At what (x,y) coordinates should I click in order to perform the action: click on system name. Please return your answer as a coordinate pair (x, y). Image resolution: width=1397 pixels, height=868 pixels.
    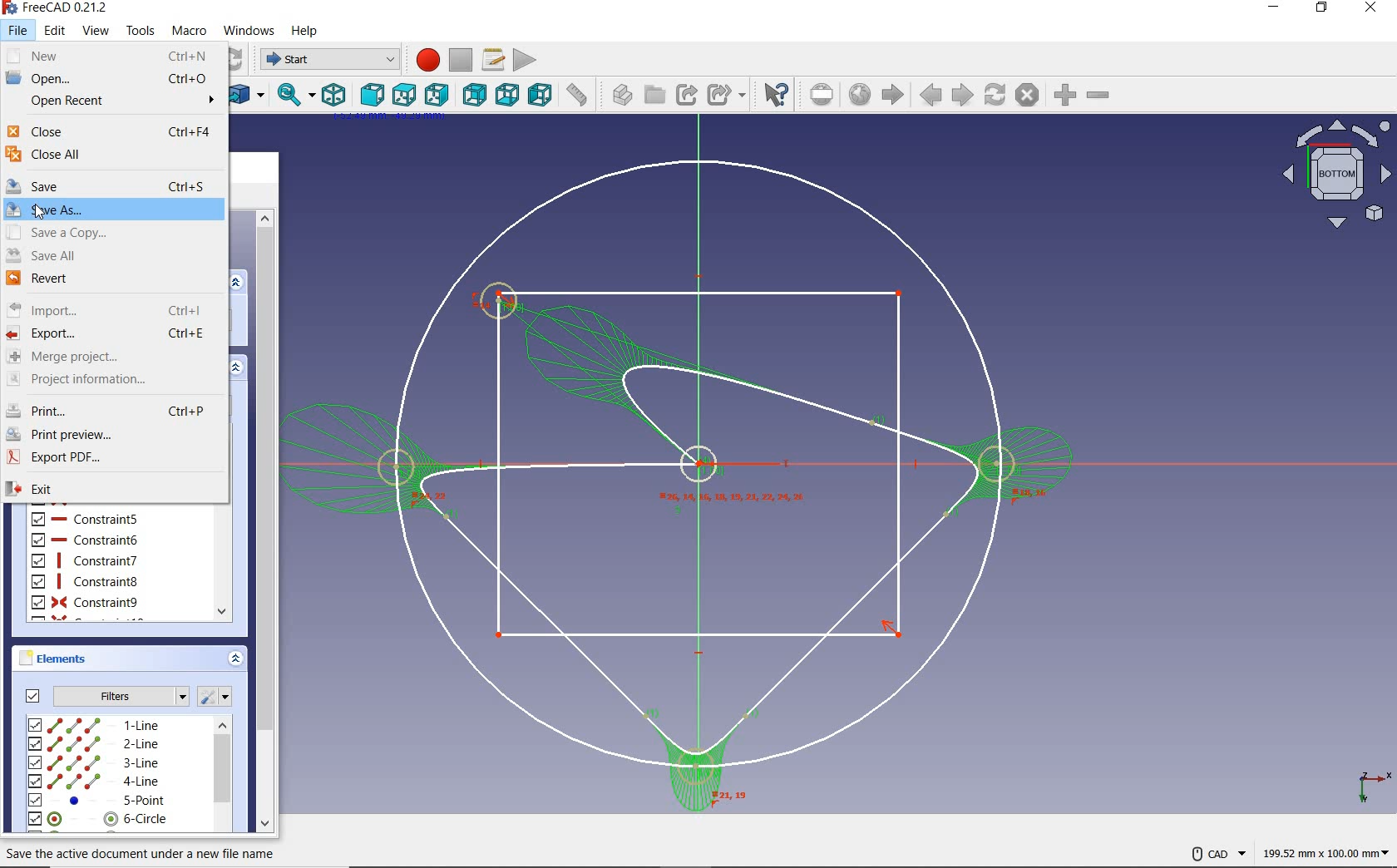
    Looking at the image, I should click on (57, 7).